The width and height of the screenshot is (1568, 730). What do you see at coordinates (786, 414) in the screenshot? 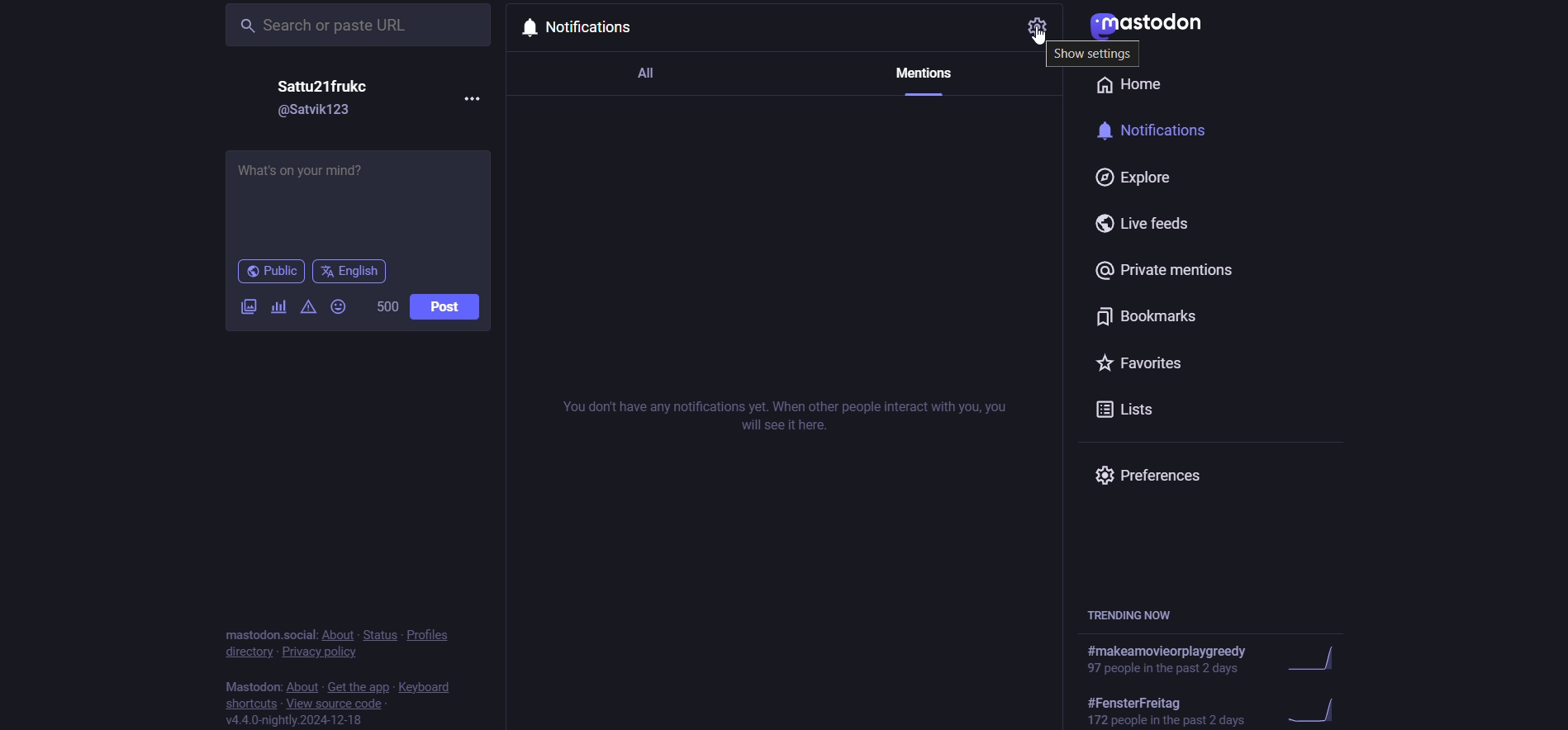
I see `You don't have any notifications yet. When other people interact with you, you will see it here.` at bounding box center [786, 414].